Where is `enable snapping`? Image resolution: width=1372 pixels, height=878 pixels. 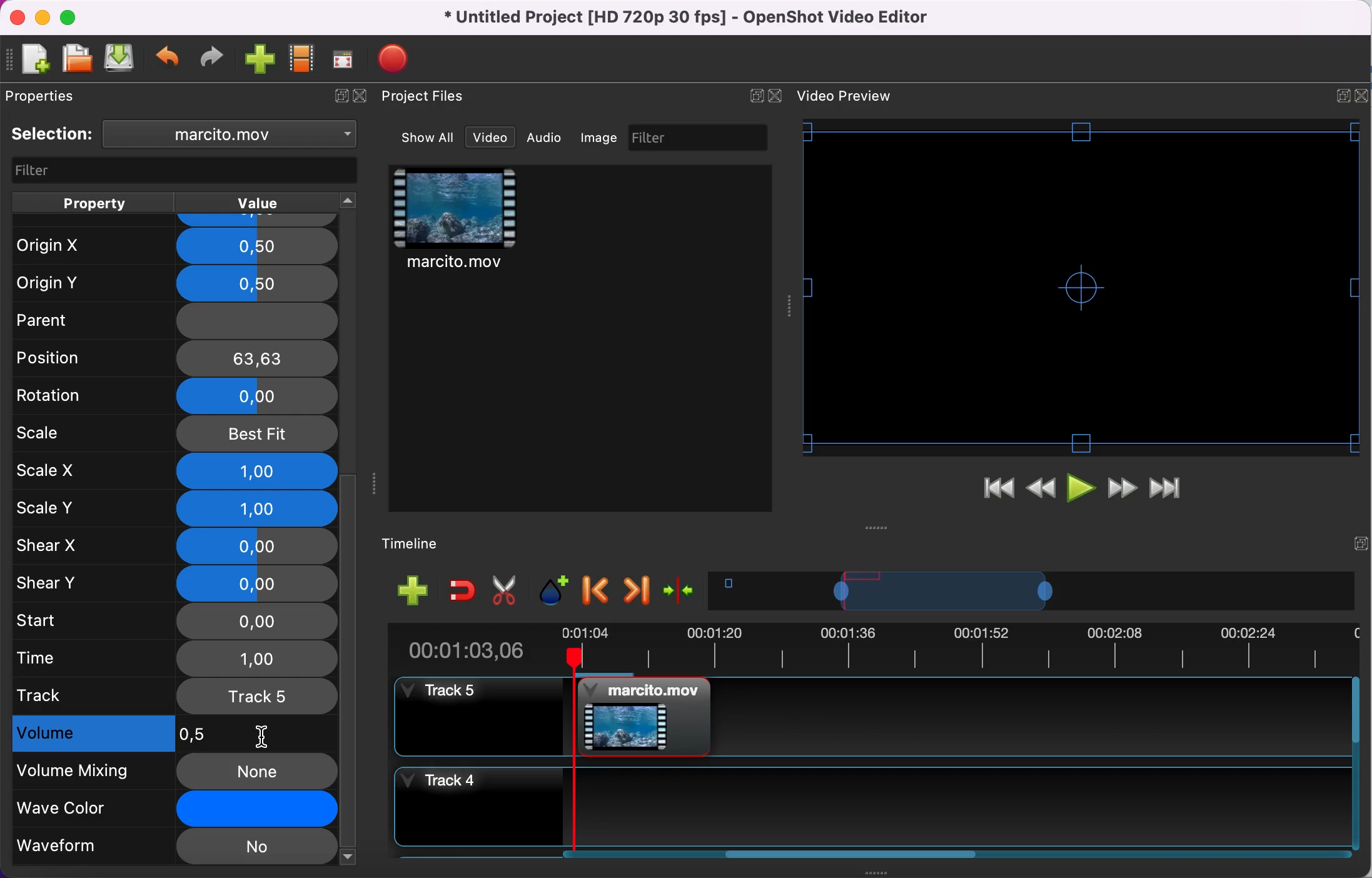 enable snapping is located at coordinates (463, 589).